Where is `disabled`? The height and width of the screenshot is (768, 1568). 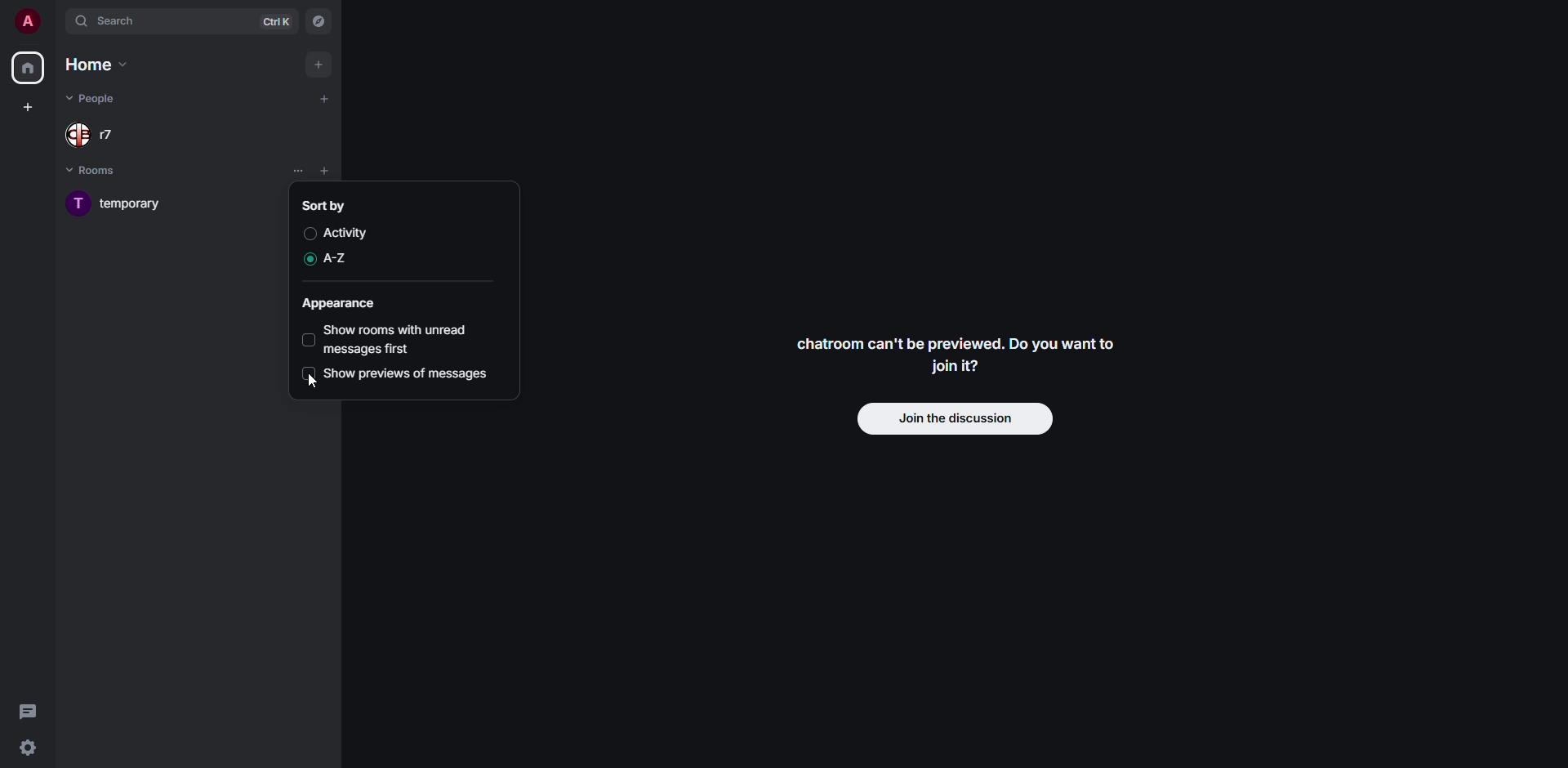 disabled is located at coordinates (310, 233).